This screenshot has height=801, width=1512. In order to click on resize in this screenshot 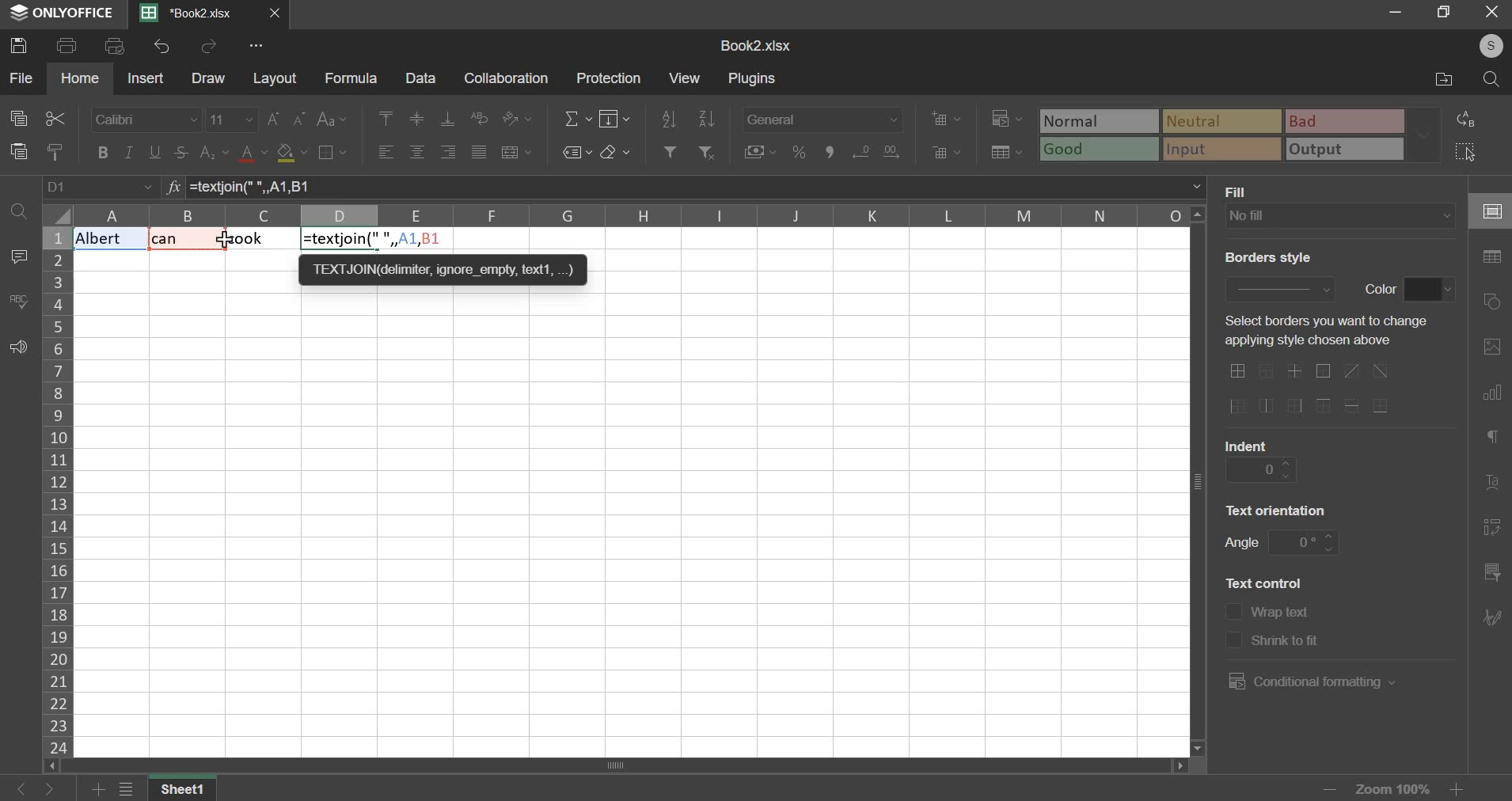, I will do `click(1440, 13)`.